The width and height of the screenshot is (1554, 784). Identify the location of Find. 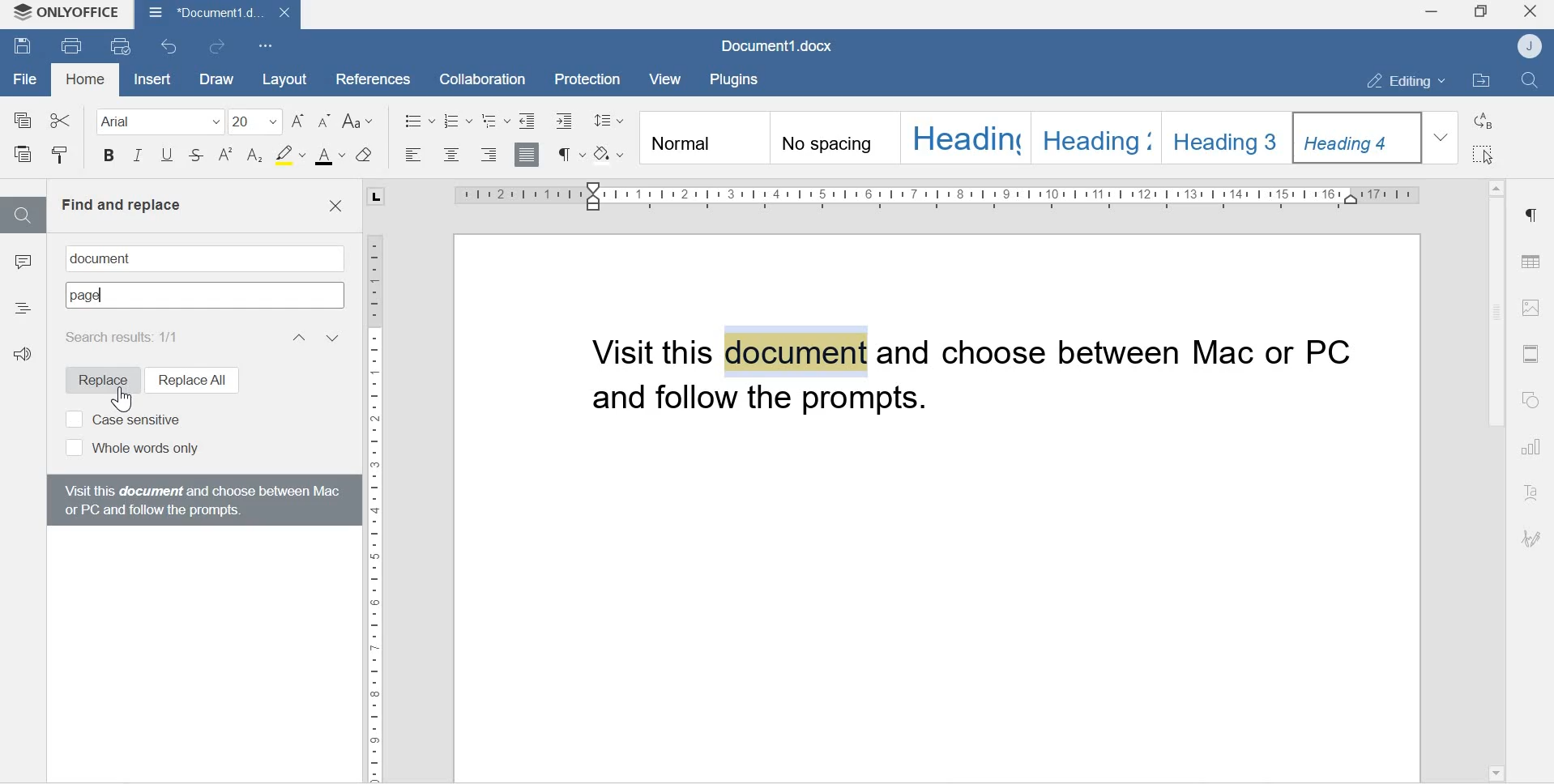
(1533, 81).